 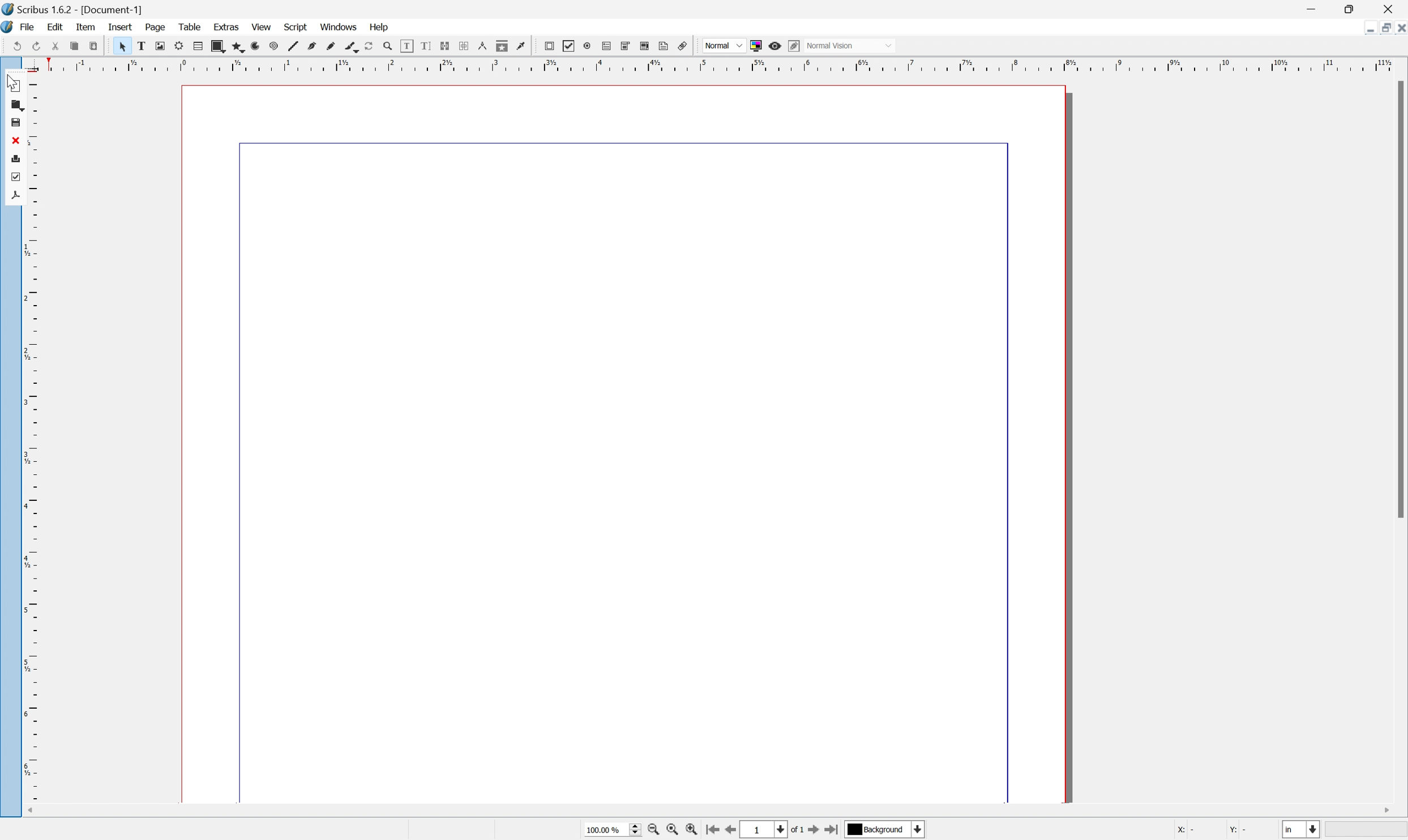 What do you see at coordinates (523, 46) in the screenshot?
I see `Zoom in or zoom out` at bounding box center [523, 46].